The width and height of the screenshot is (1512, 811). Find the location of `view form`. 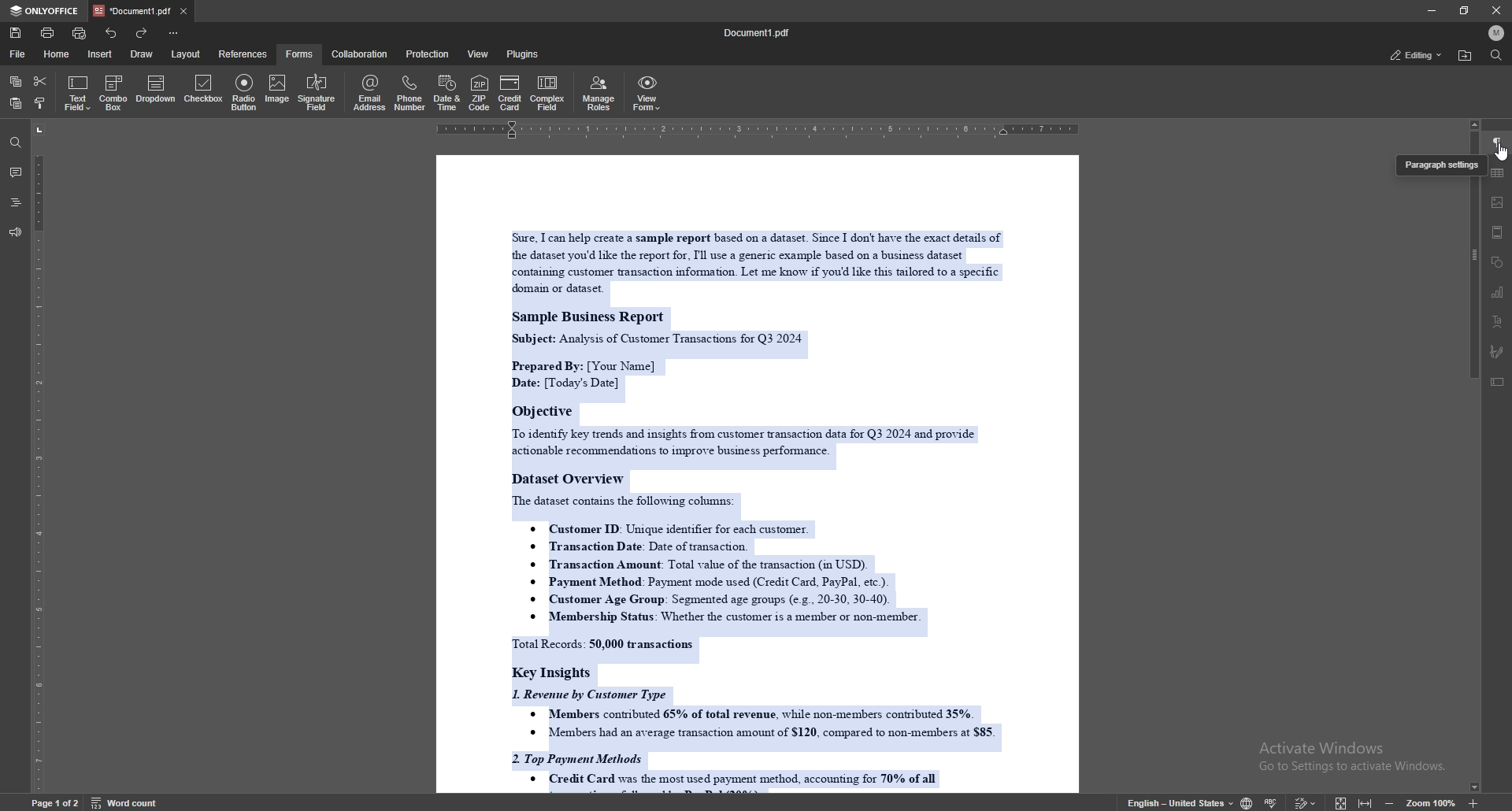

view form is located at coordinates (647, 93).